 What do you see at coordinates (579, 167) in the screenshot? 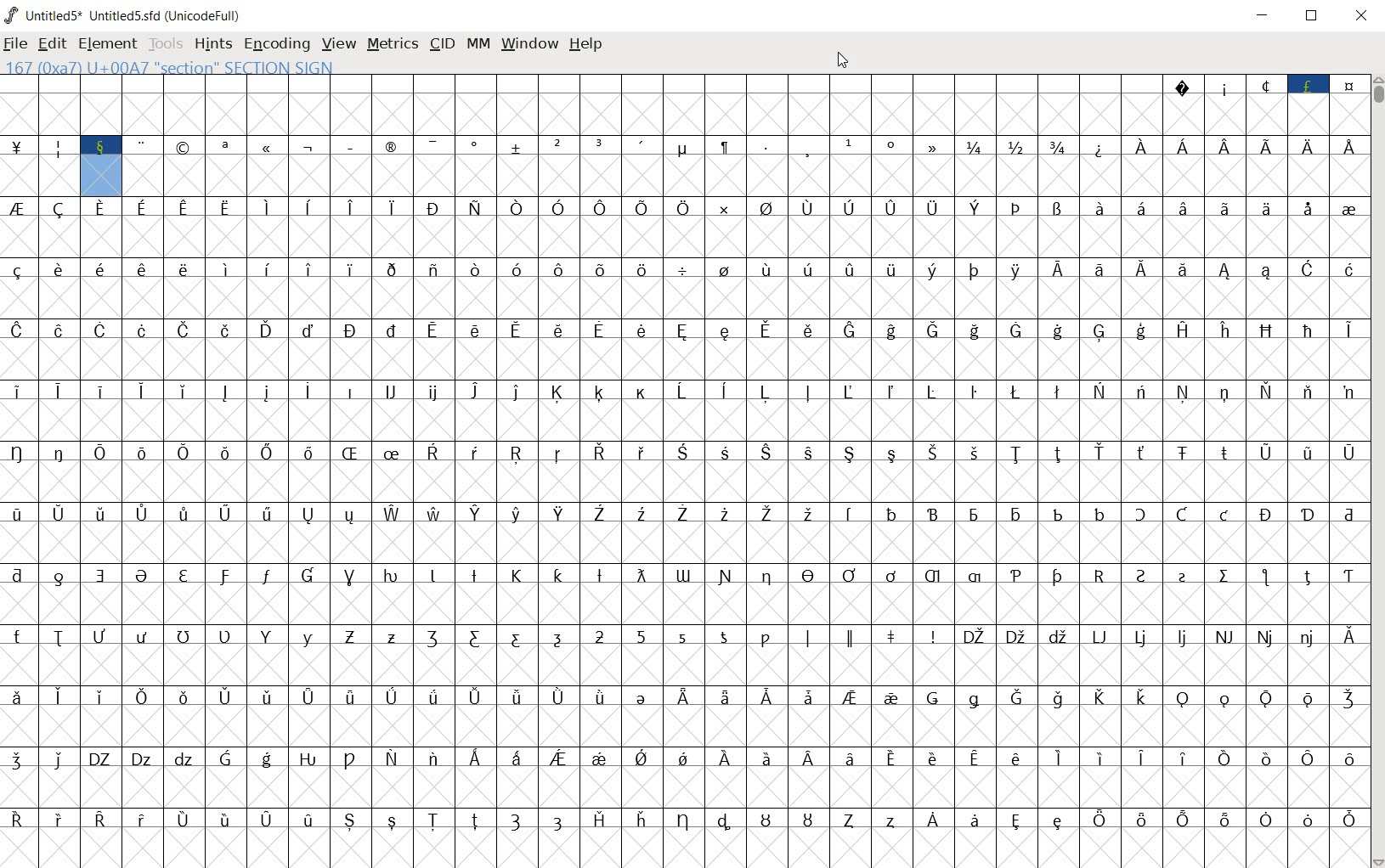
I see `numbers` at bounding box center [579, 167].